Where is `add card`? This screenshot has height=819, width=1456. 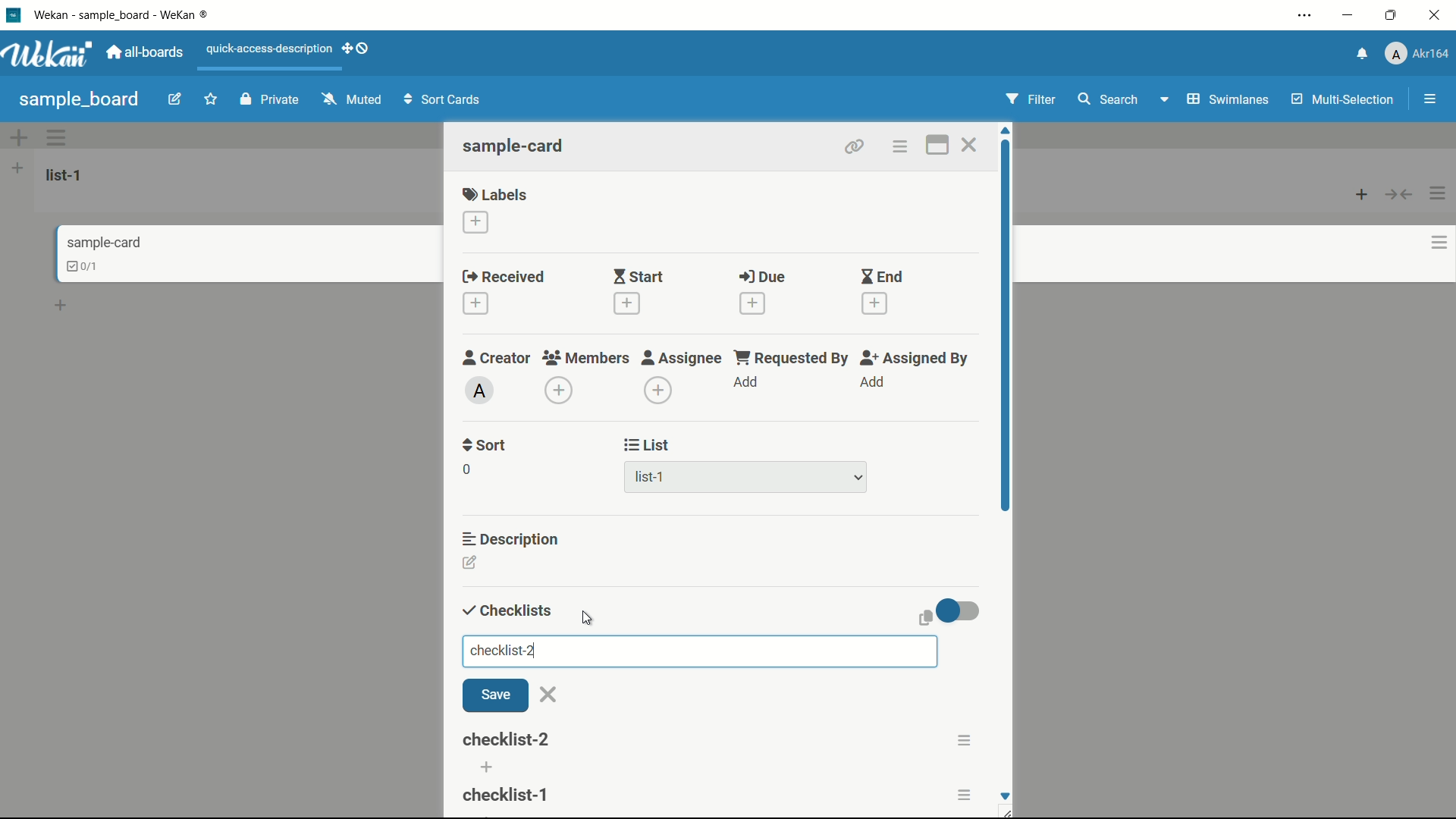 add card is located at coordinates (1362, 193).